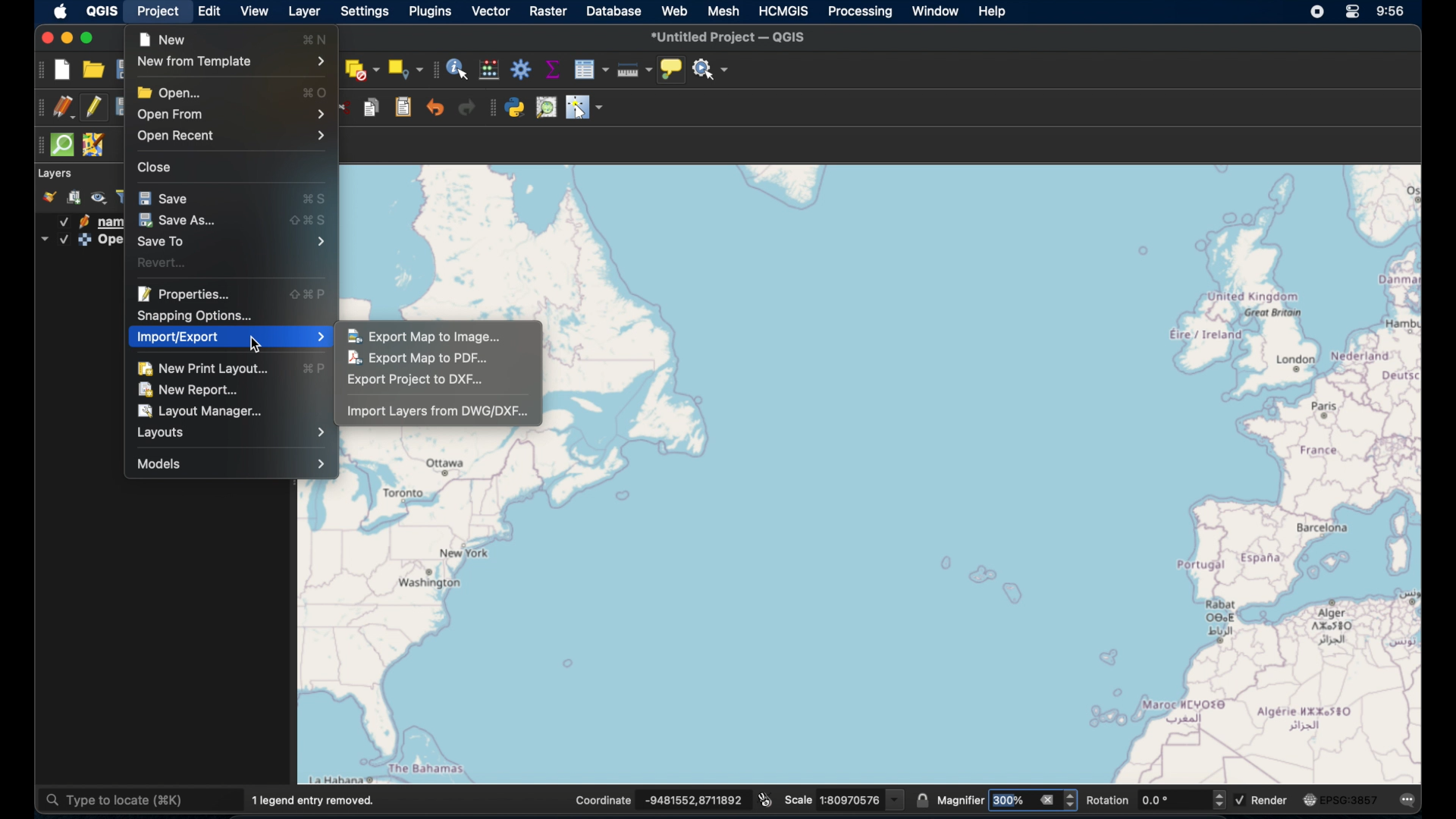 The image size is (1456, 819). What do you see at coordinates (315, 93) in the screenshot?
I see `open shortcut` at bounding box center [315, 93].